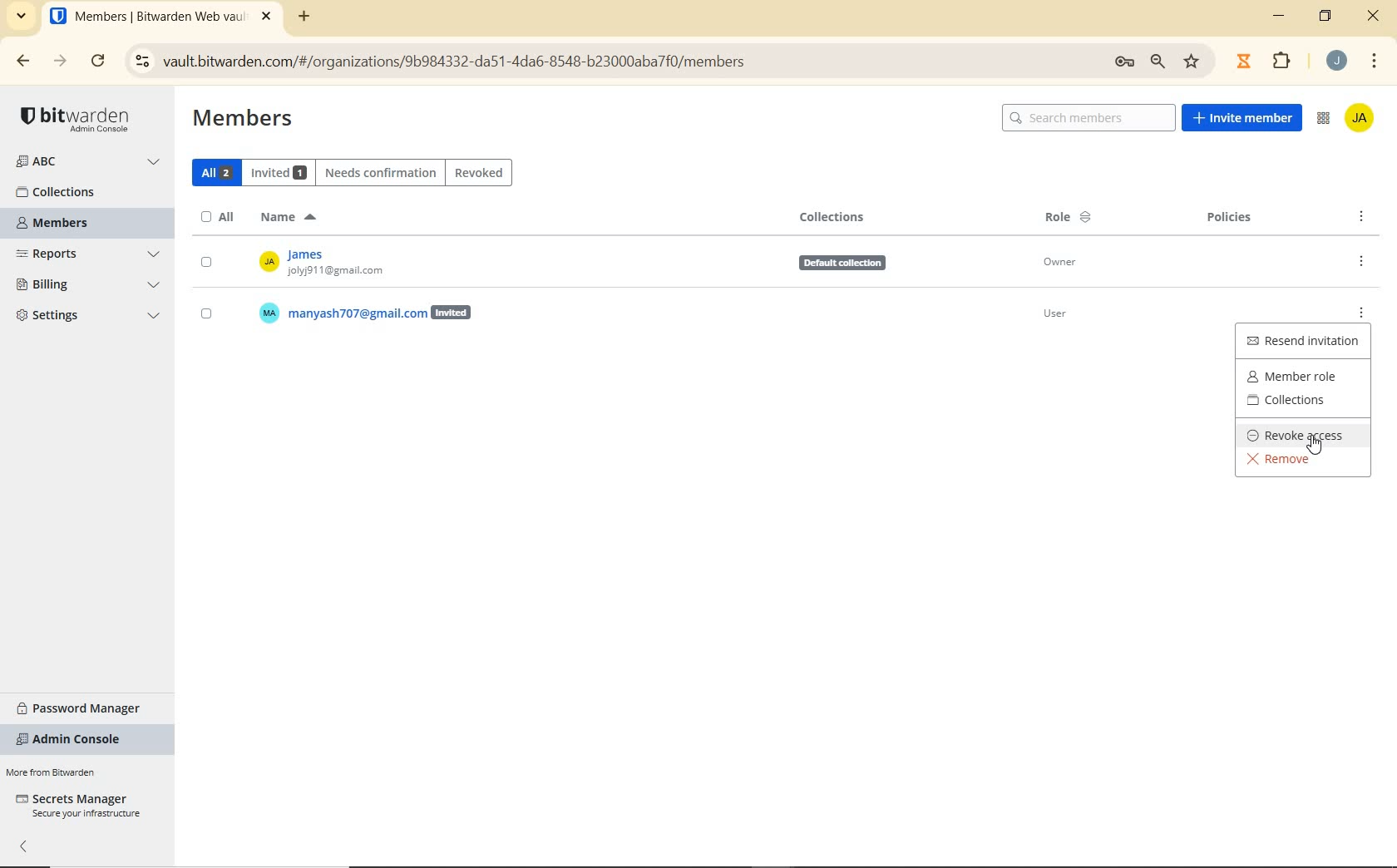 The image size is (1397, 868). What do you see at coordinates (24, 62) in the screenshot?
I see `BACK` at bounding box center [24, 62].